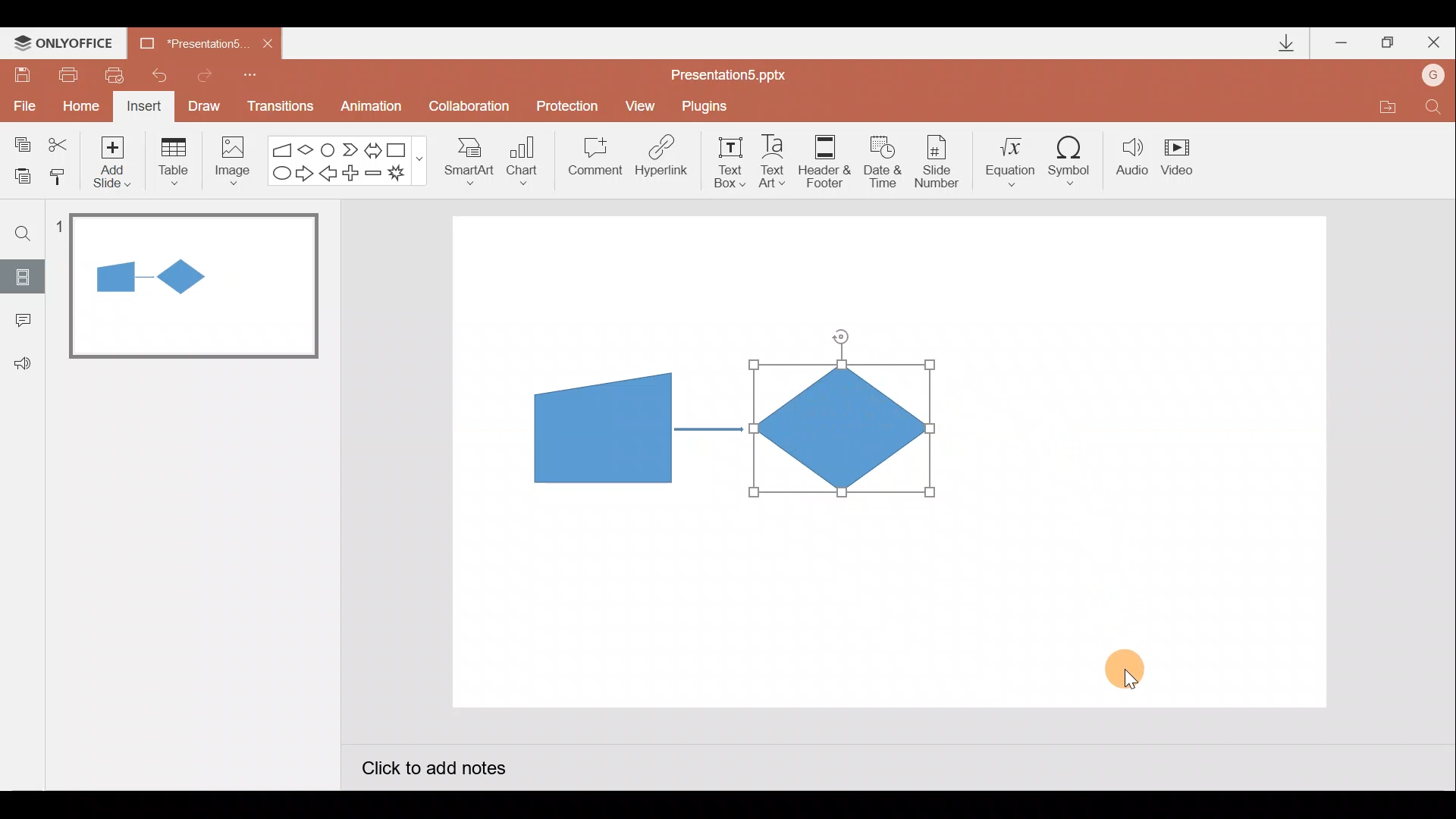 This screenshot has width=1456, height=819. I want to click on Transitions, so click(278, 108).